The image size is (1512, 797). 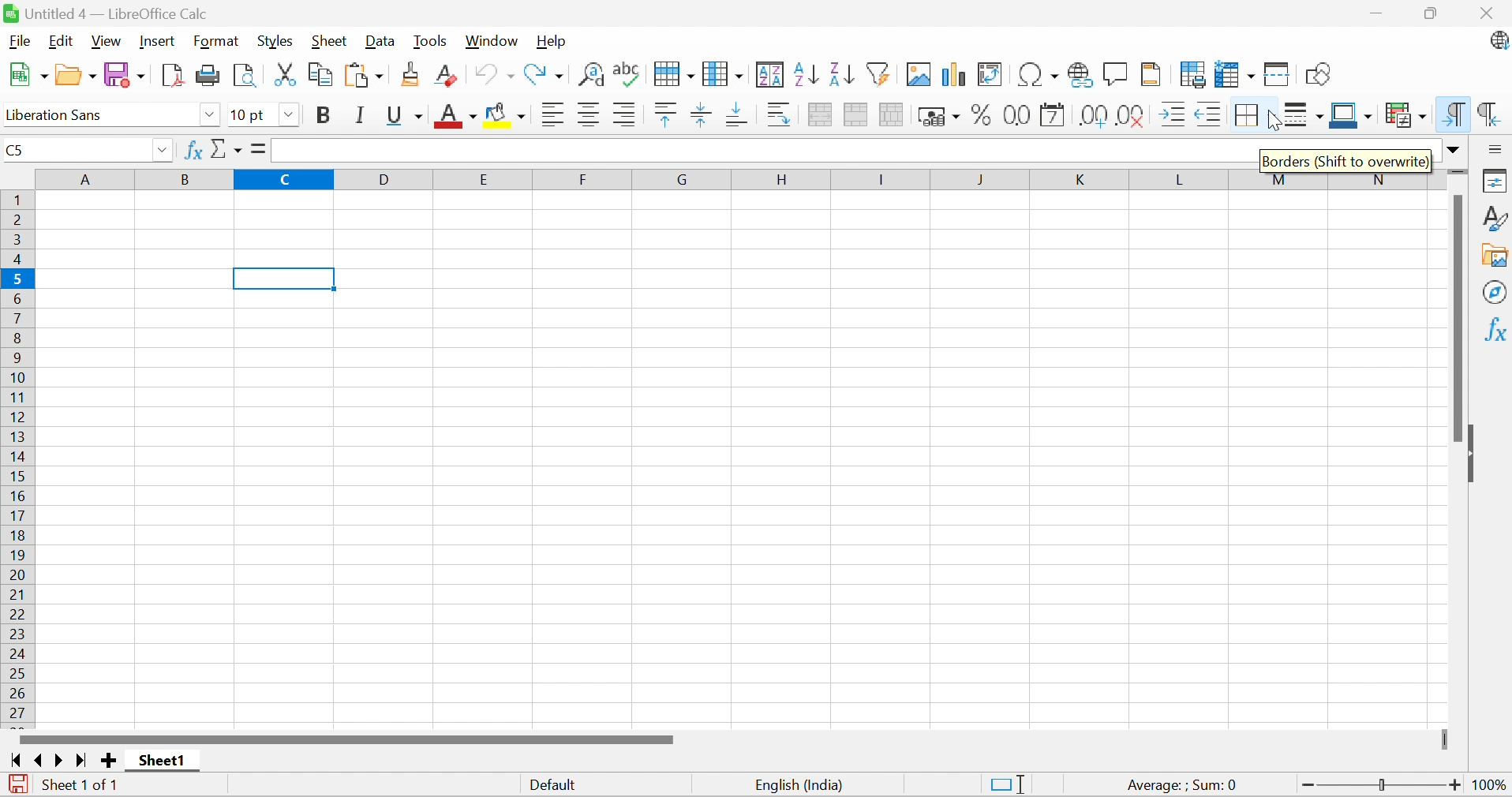 What do you see at coordinates (209, 75) in the screenshot?
I see `Print` at bounding box center [209, 75].